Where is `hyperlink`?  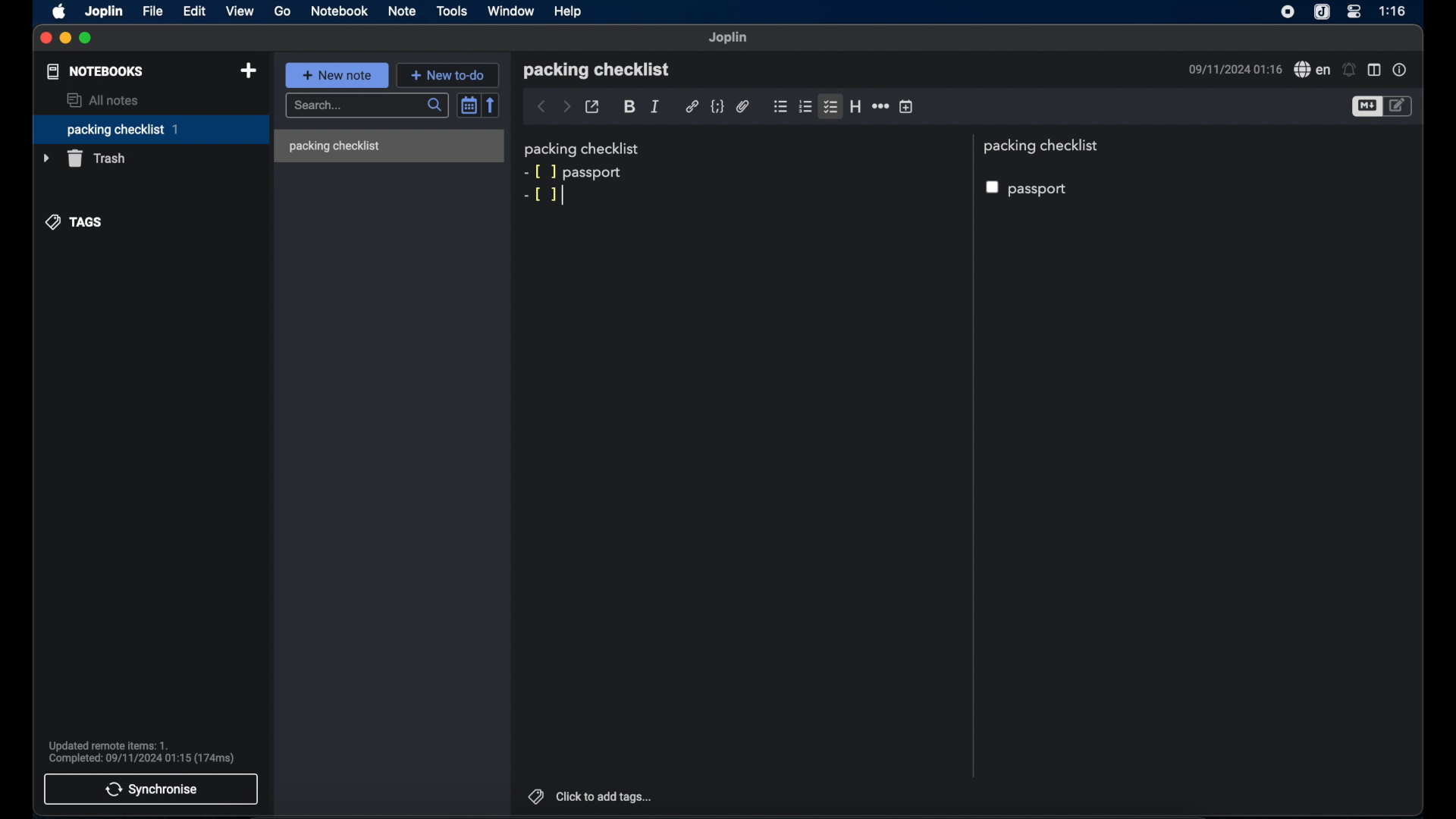
hyperlink is located at coordinates (692, 107).